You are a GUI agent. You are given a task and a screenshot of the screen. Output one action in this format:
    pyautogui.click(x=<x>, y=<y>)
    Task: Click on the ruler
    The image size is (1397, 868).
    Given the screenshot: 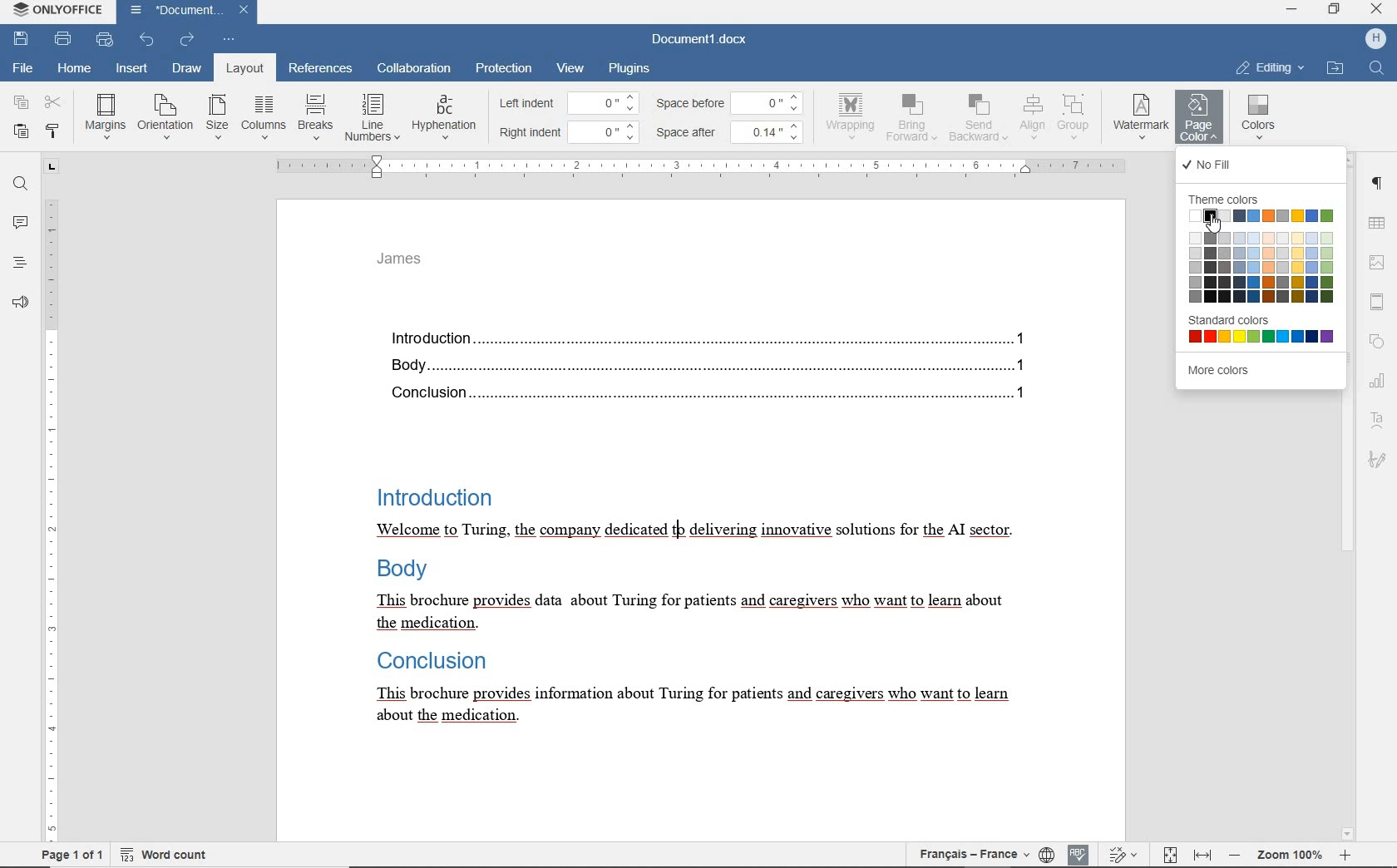 What is the action you would take?
    pyautogui.click(x=52, y=499)
    